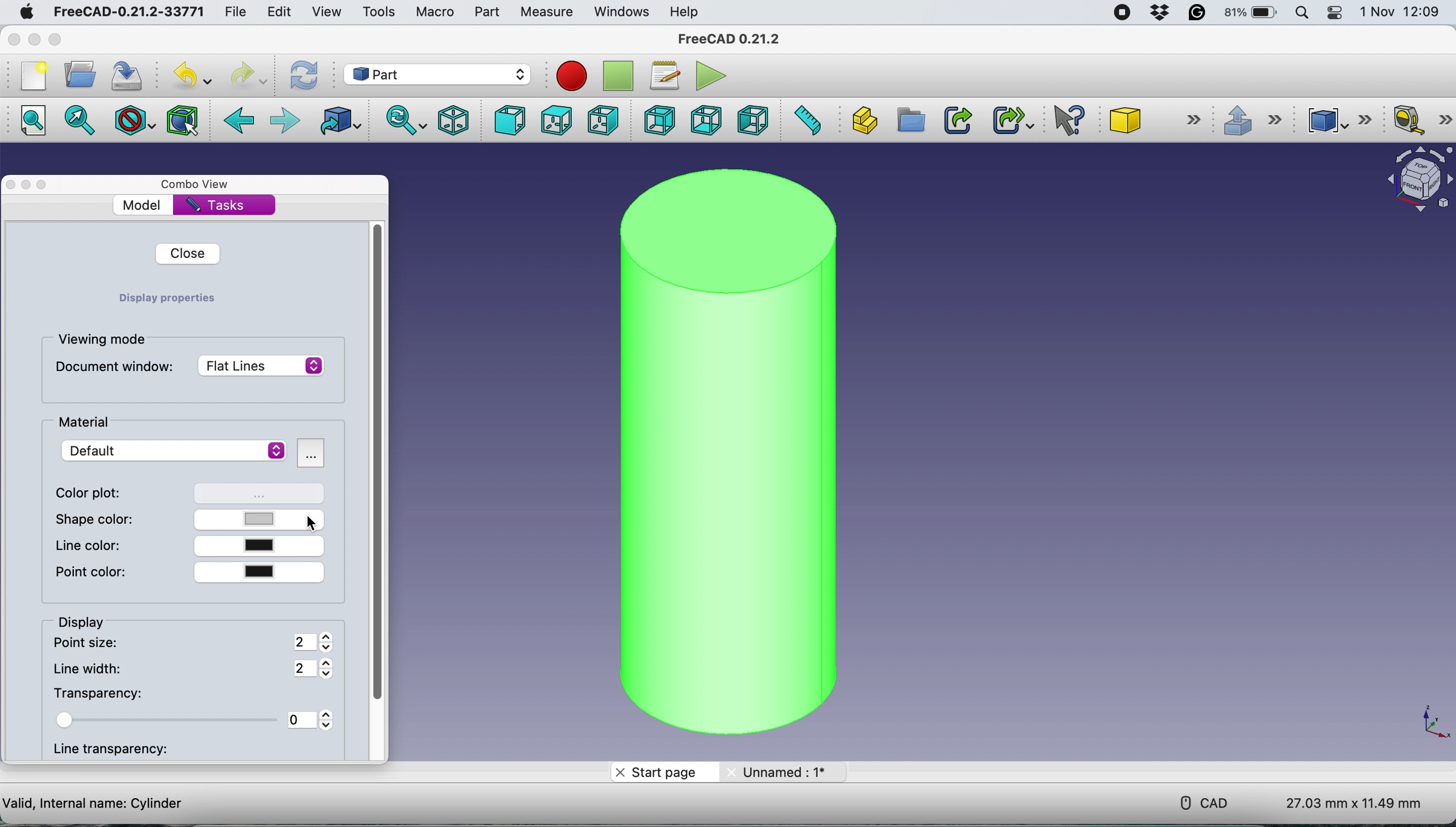 The width and height of the screenshot is (1456, 827). Describe the element at coordinates (59, 39) in the screenshot. I see `maximise` at that location.